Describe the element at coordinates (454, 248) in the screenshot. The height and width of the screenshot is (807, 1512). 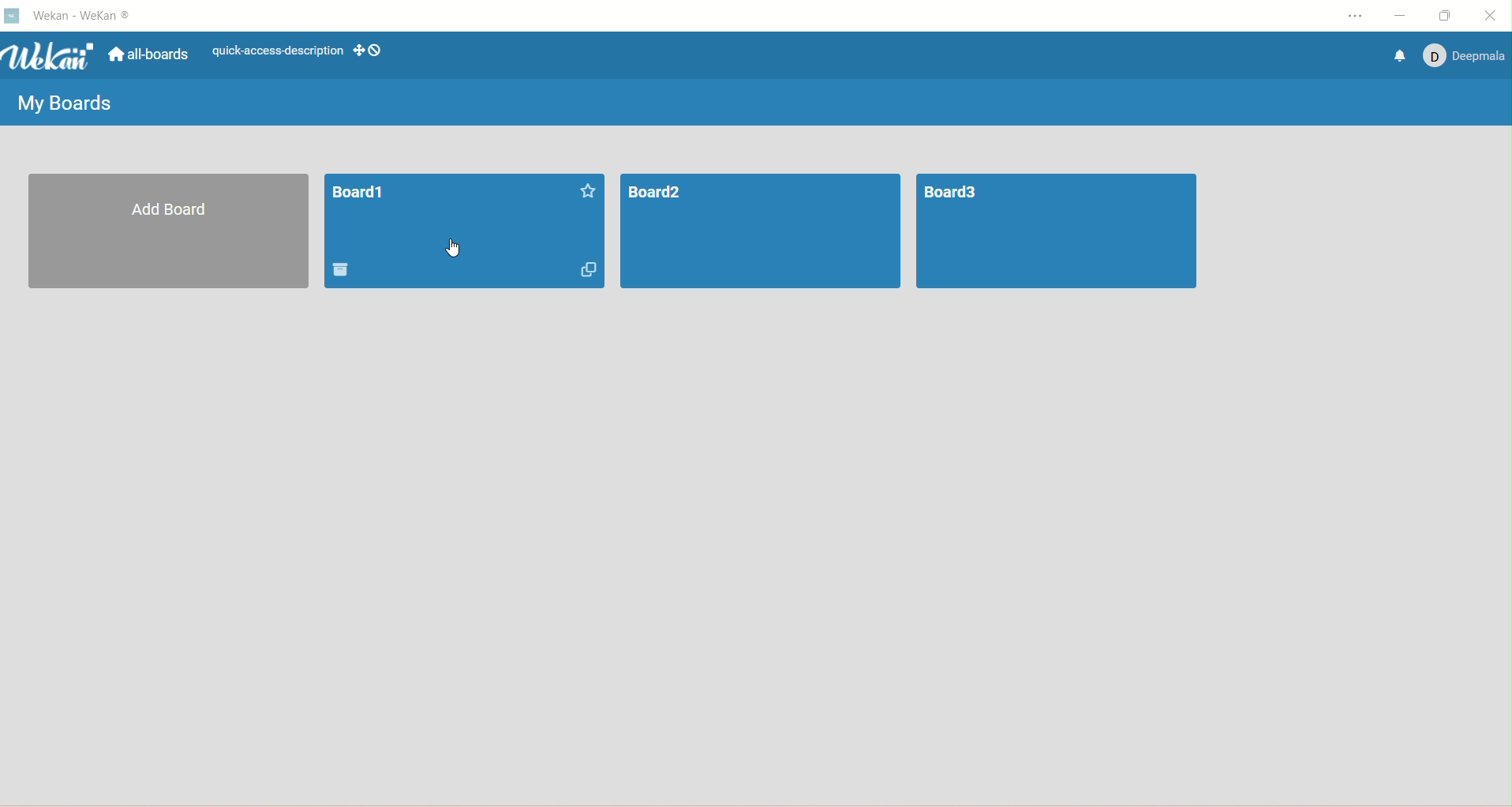
I see `cursor` at that location.